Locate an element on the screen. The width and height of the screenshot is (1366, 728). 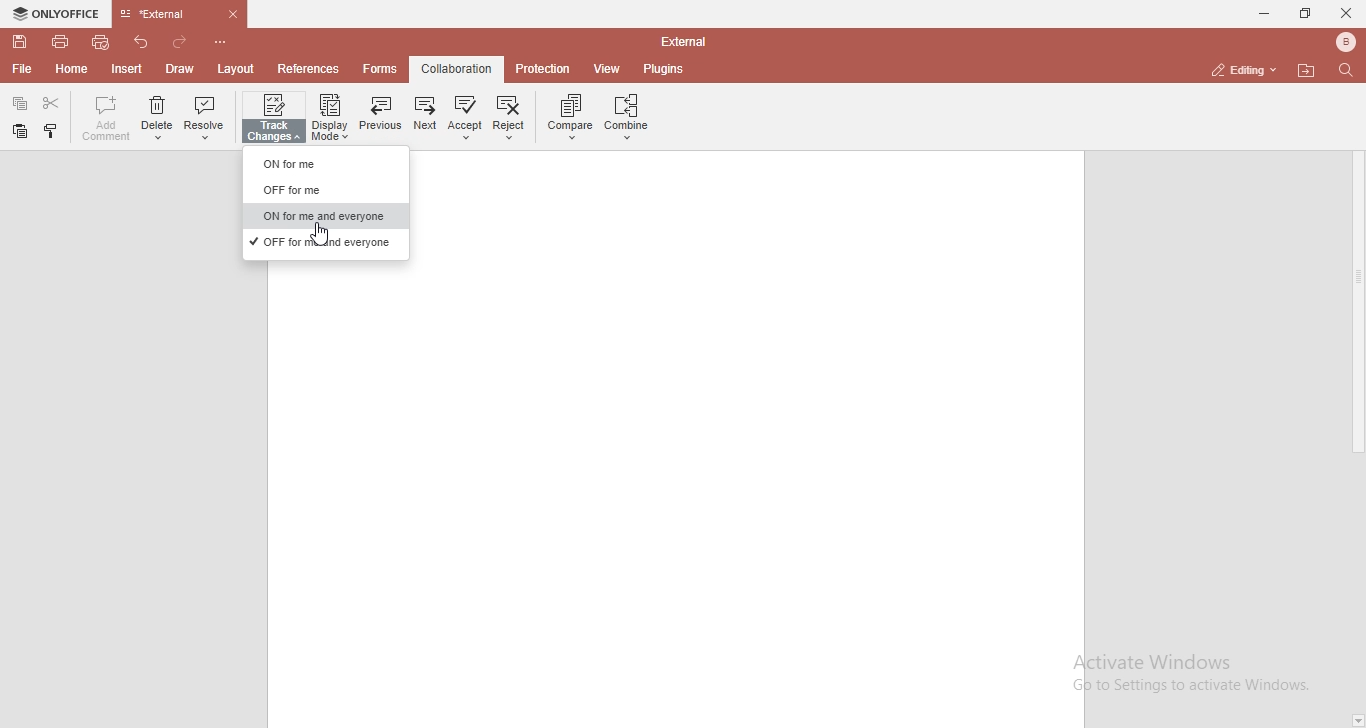
 is located at coordinates (463, 117).